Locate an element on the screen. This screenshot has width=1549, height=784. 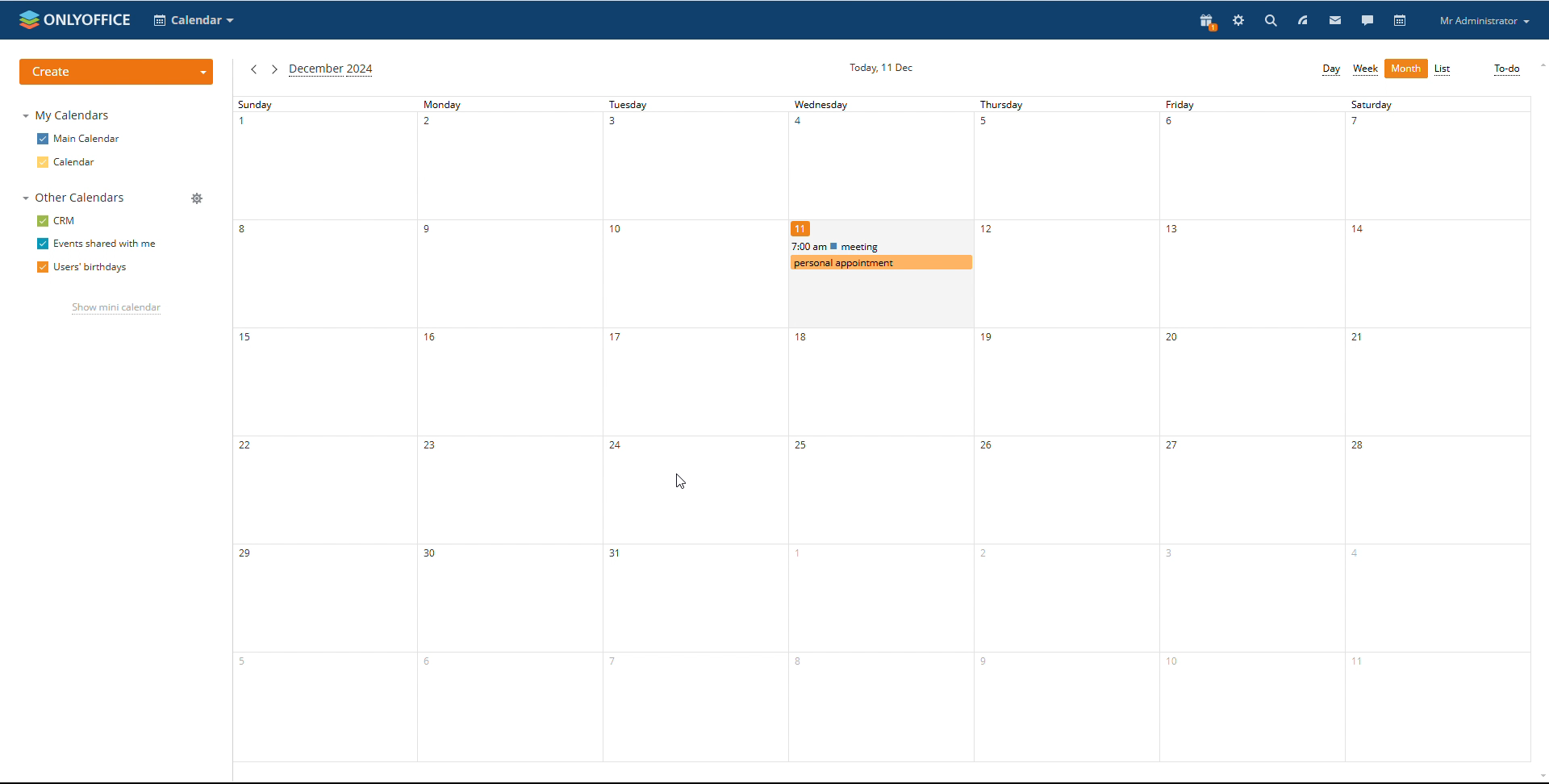
list view is located at coordinates (1443, 69).